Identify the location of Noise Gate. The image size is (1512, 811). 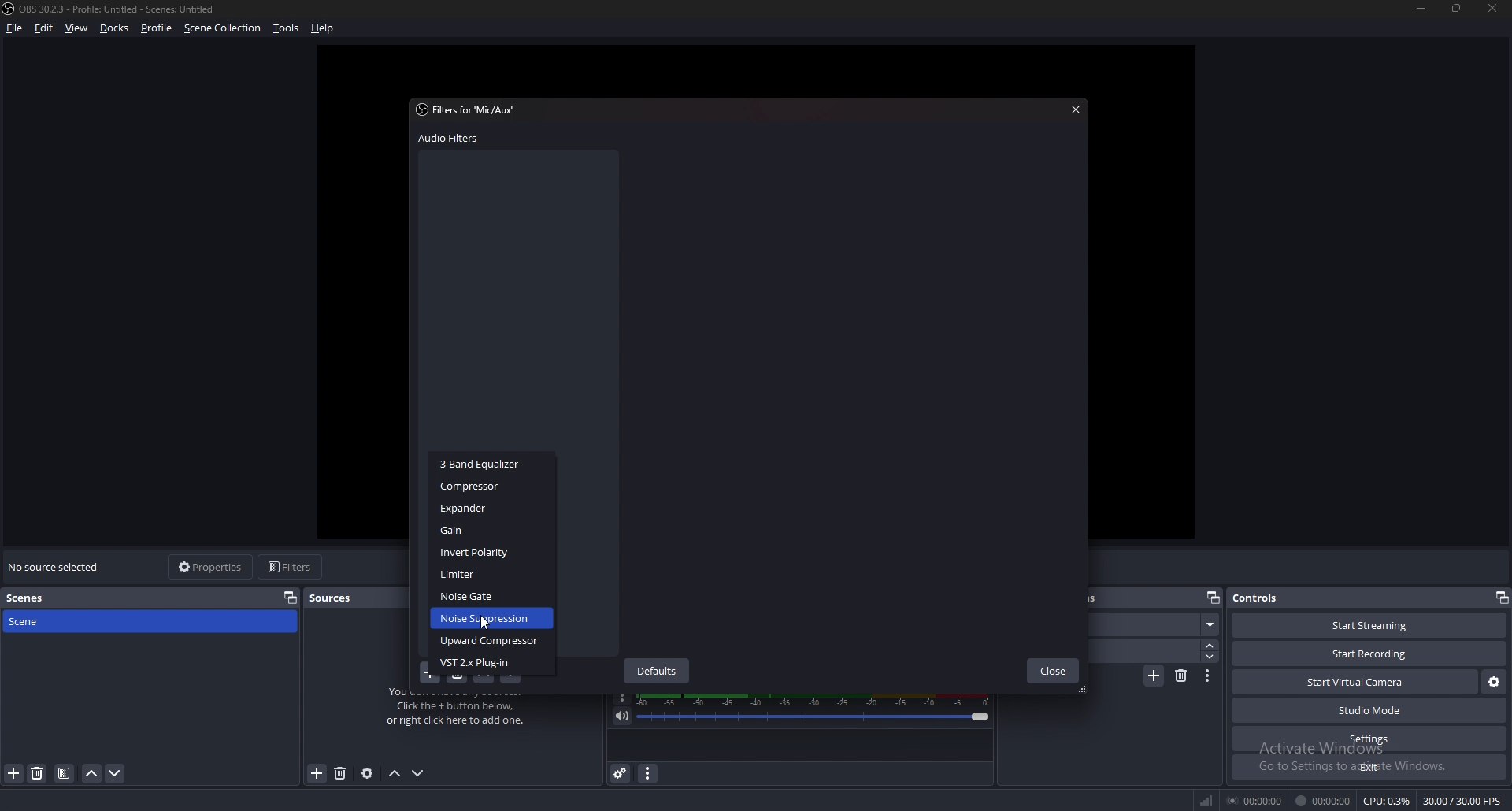
(481, 597).